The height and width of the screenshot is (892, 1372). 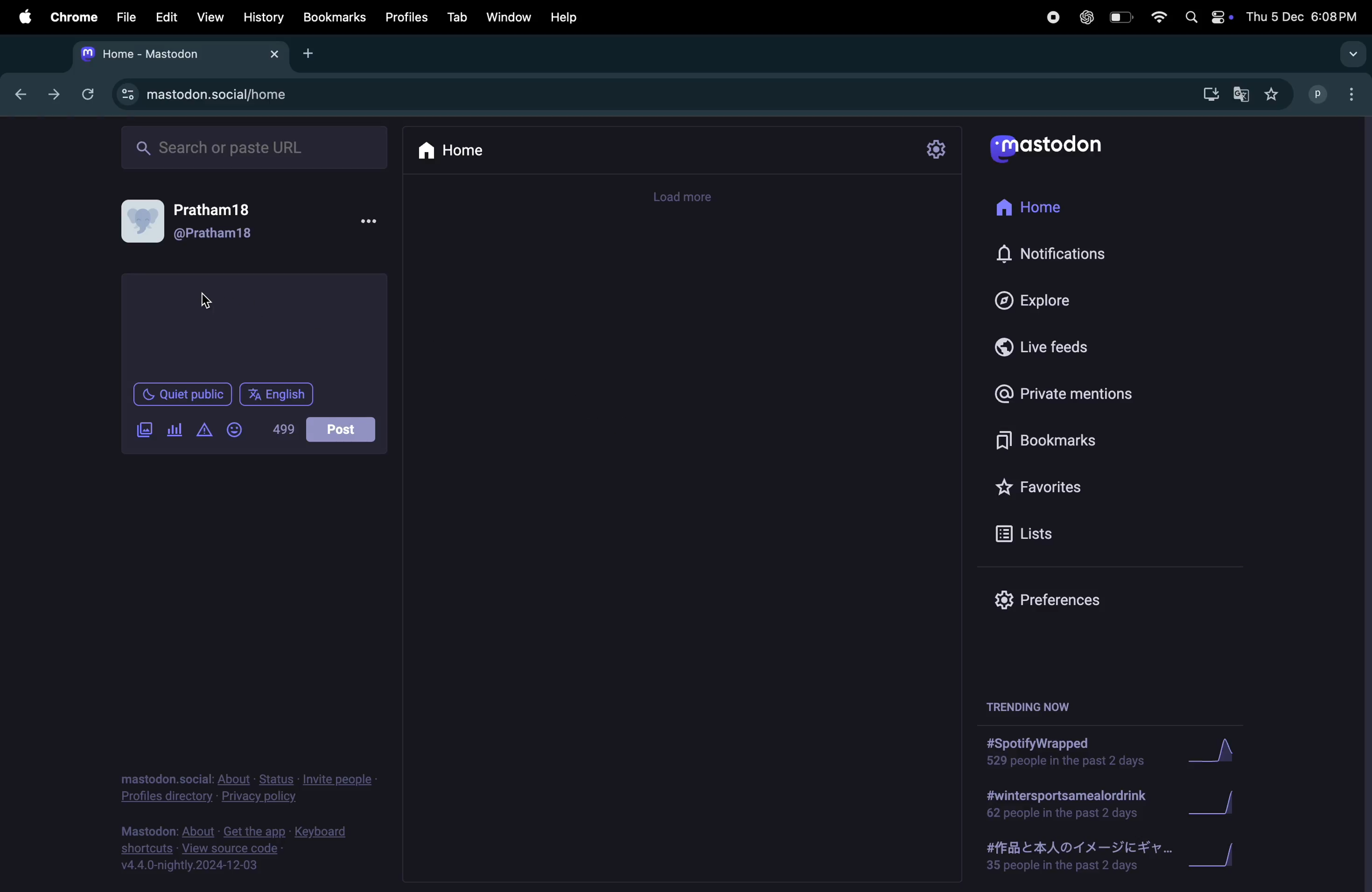 What do you see at coordinates (452, 149) in the screenshot?
I see `home` at bounding box center [452, 149].